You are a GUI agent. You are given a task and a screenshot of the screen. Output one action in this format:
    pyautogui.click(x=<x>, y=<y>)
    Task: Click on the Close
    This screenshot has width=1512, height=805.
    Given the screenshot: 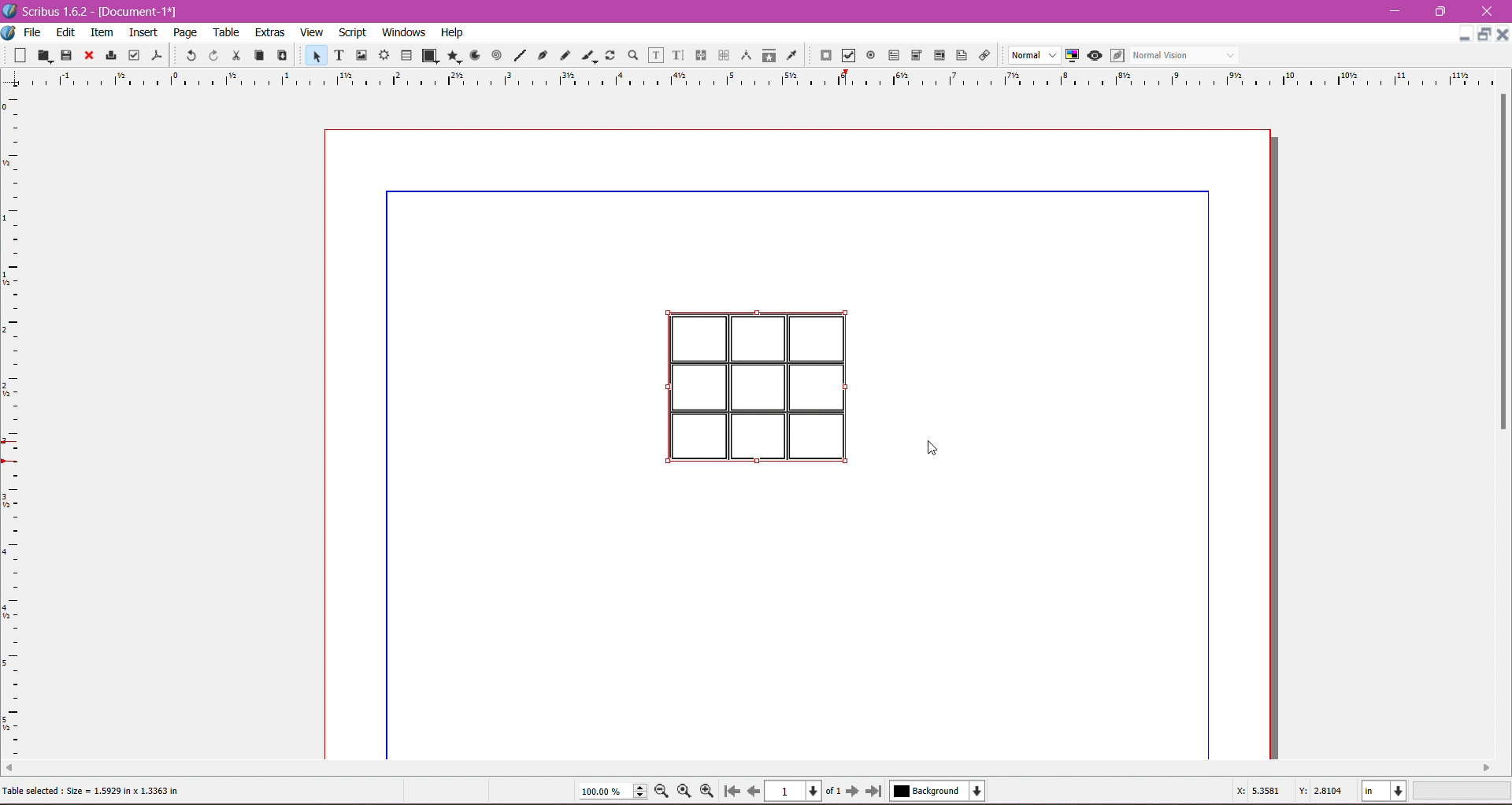 What is the action you would take?
    pyautogui.click(x=1488, y=12)
    